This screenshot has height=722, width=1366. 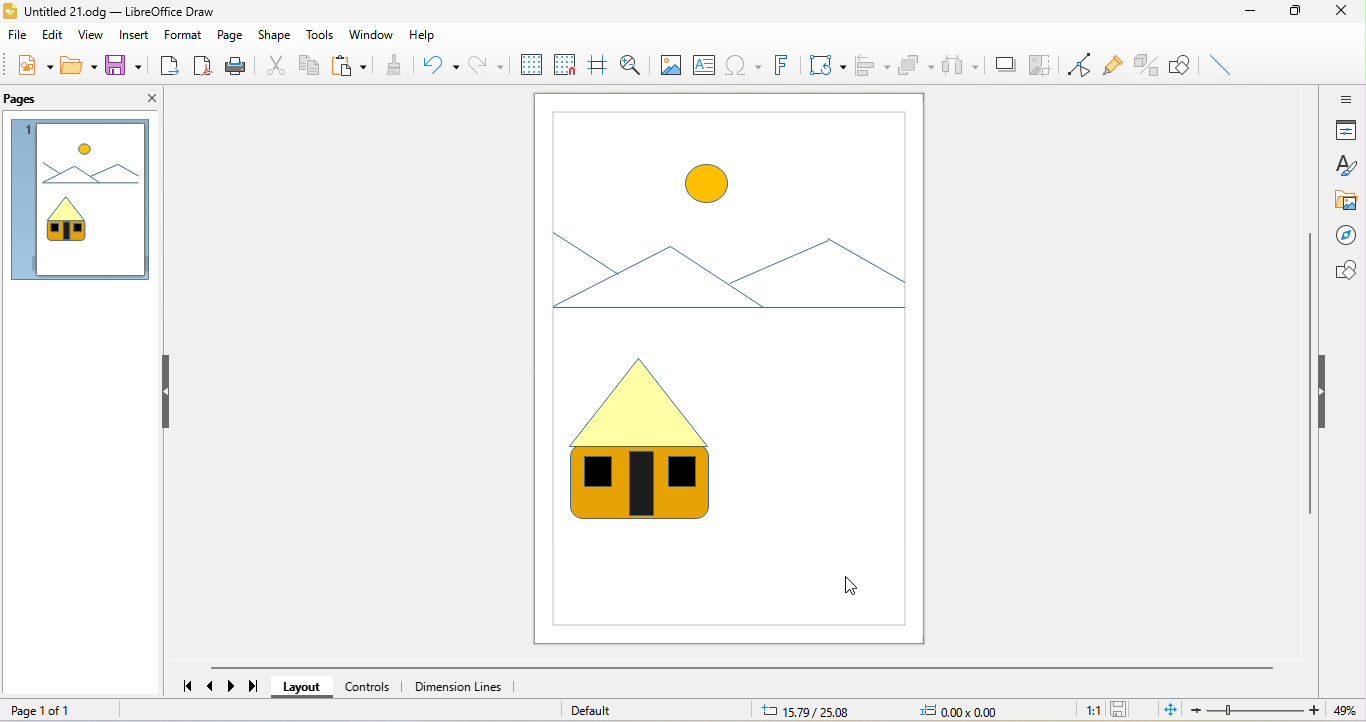 What do you see at coordinates (73, 708) in the screenshot?
I see `page 1 of 1` at bounding box center [73, 708].